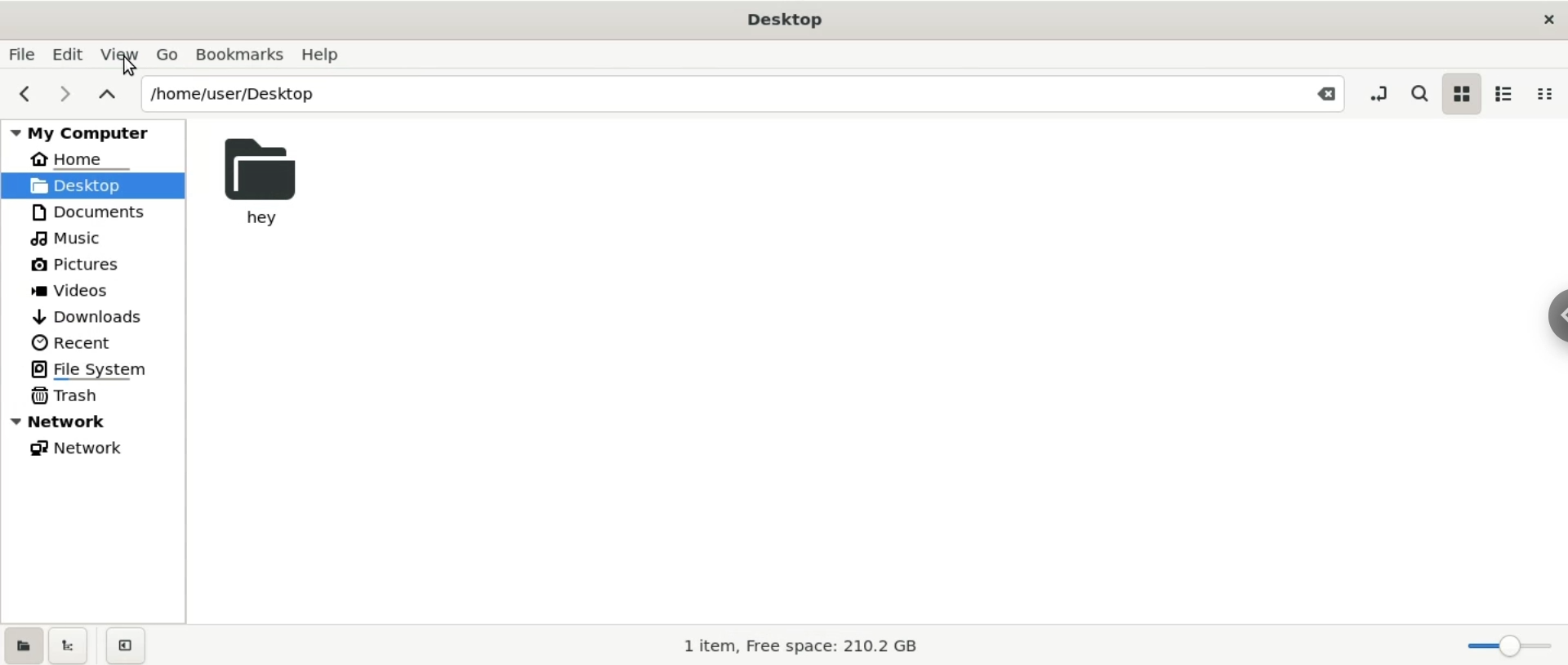  What do you see at coordinates (1542, 18) in the screenshot?
I see `close` at bounding box center [1542, 18].